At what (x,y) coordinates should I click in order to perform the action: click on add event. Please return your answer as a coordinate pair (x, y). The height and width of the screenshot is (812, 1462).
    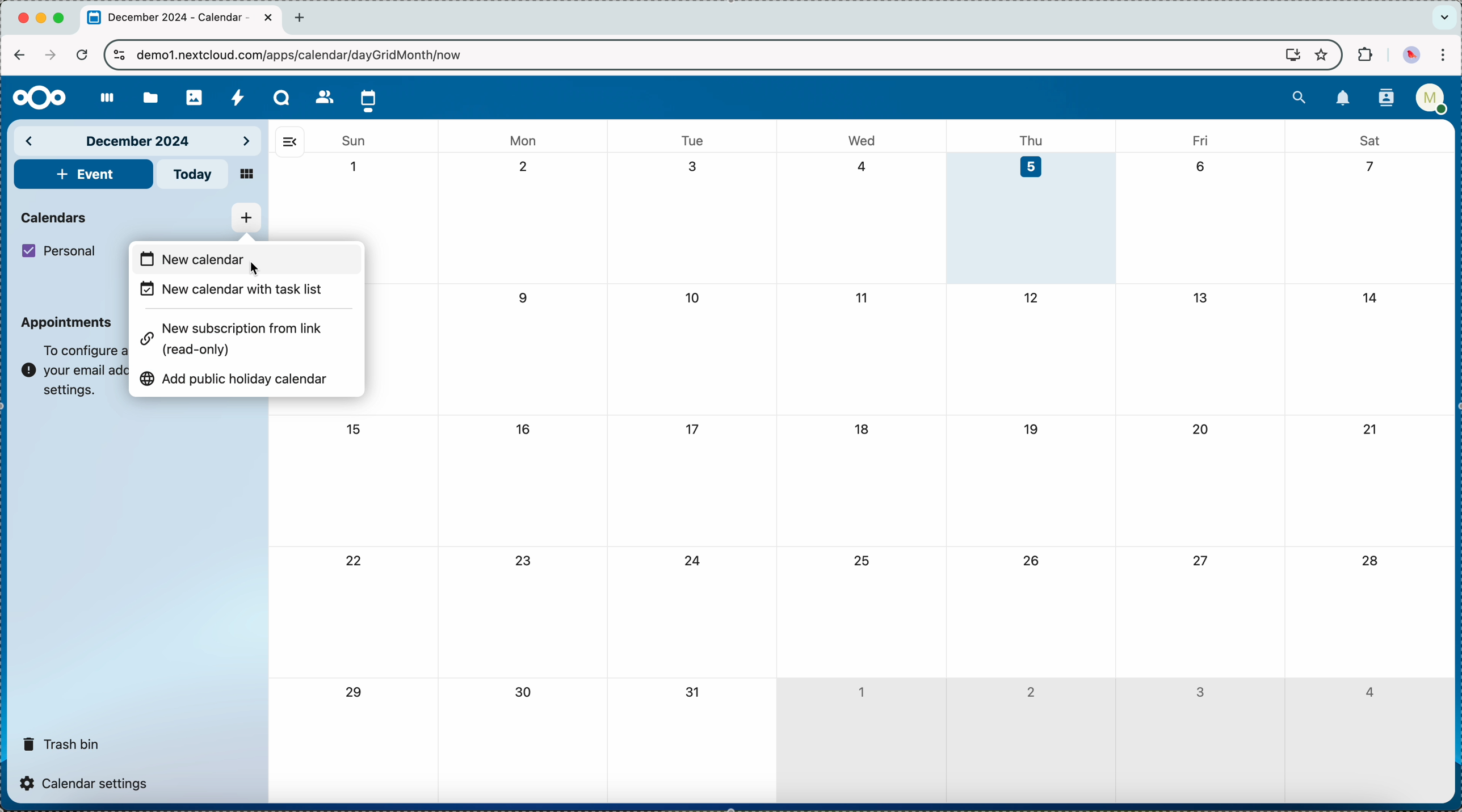
    Looking at the image, I should click on (83, 174).